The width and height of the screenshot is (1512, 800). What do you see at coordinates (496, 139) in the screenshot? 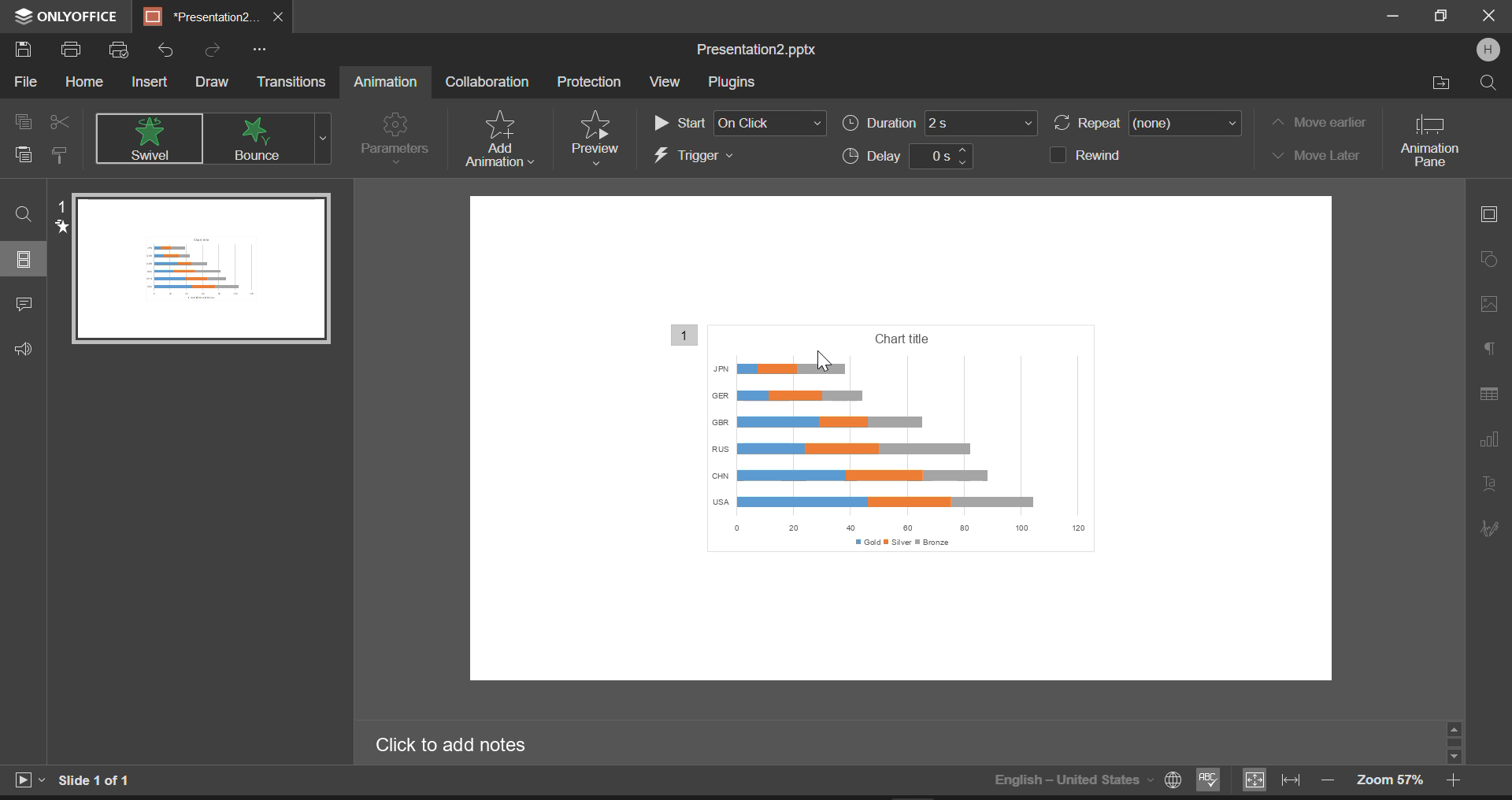
I see `Add Animation` at bounding box center [496, 139].